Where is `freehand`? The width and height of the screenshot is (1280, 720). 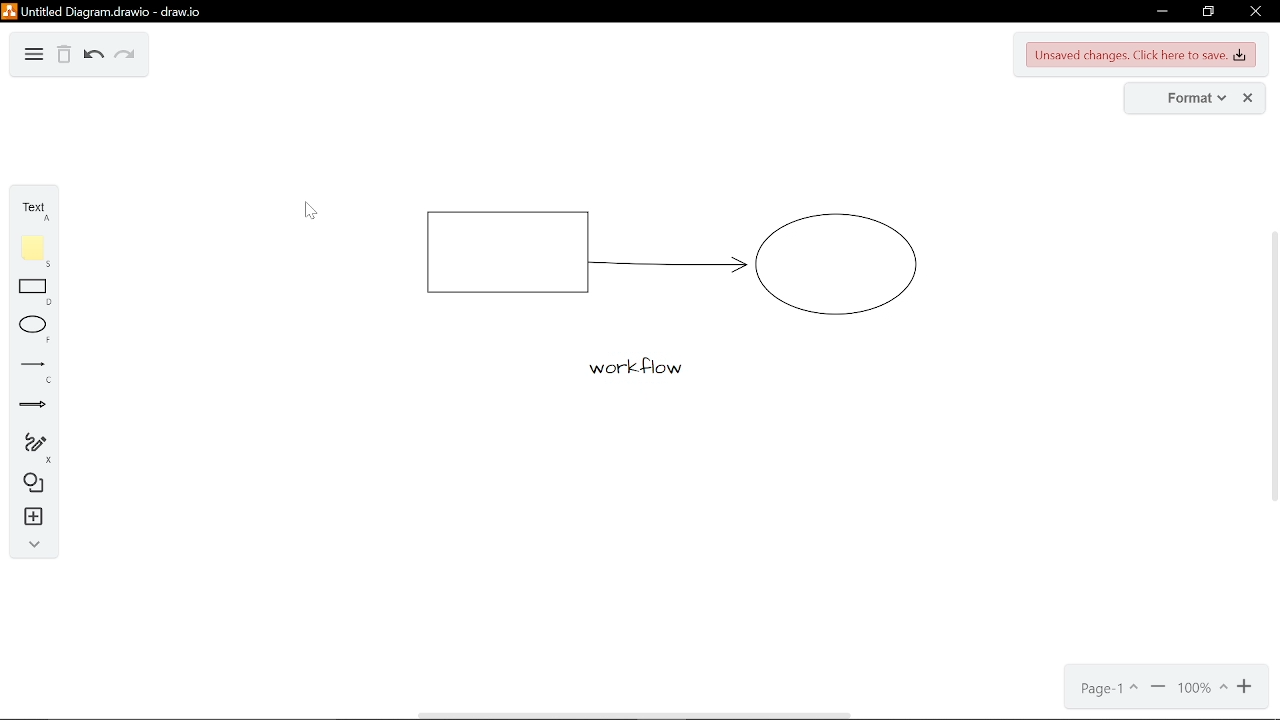 freehand is located at coordinates (36, 446).